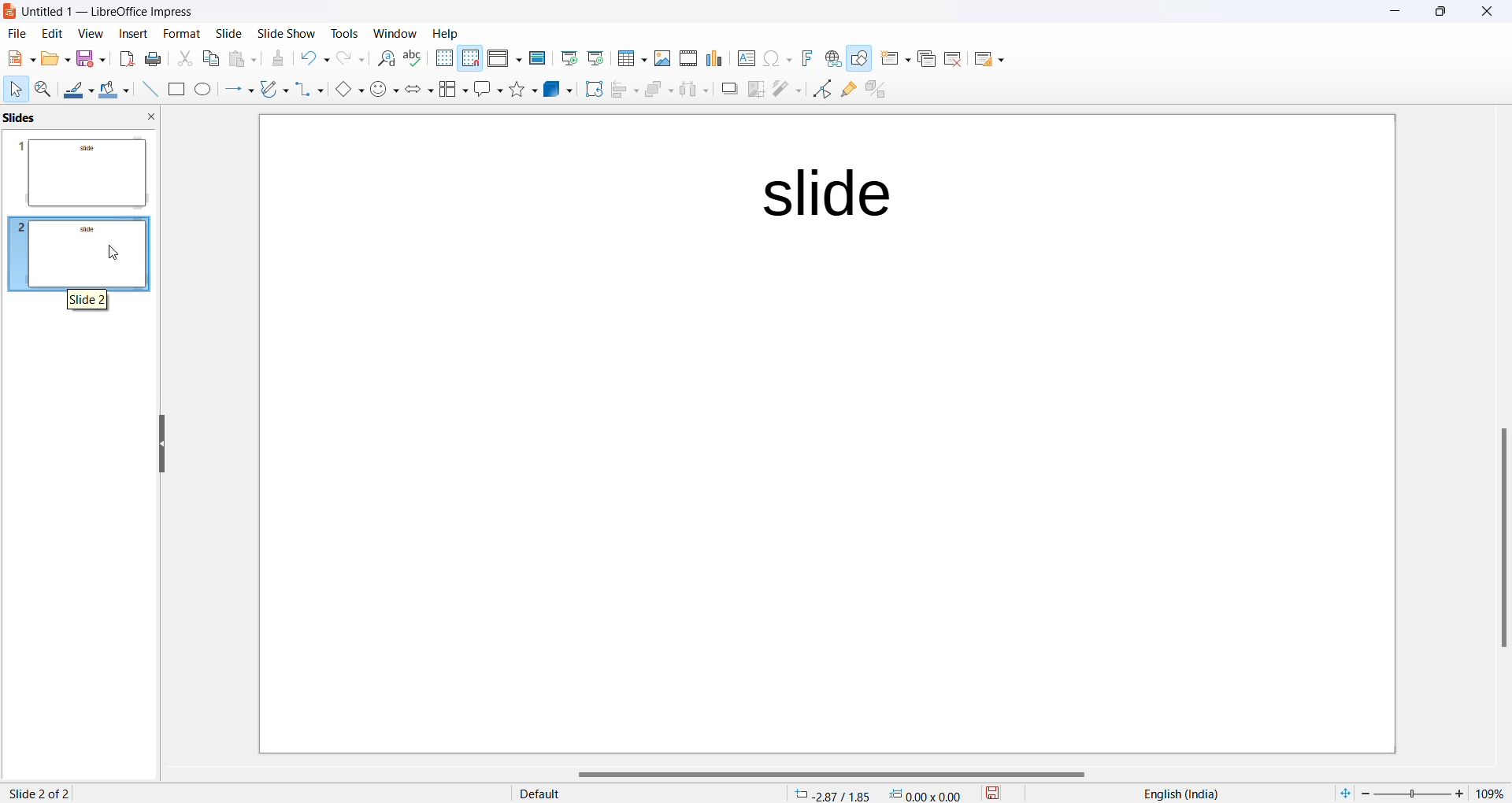 The image size is (1512, 803). Describe the element at coordinates (630, 58) in the screenshot. I see `Insert table` at that location.